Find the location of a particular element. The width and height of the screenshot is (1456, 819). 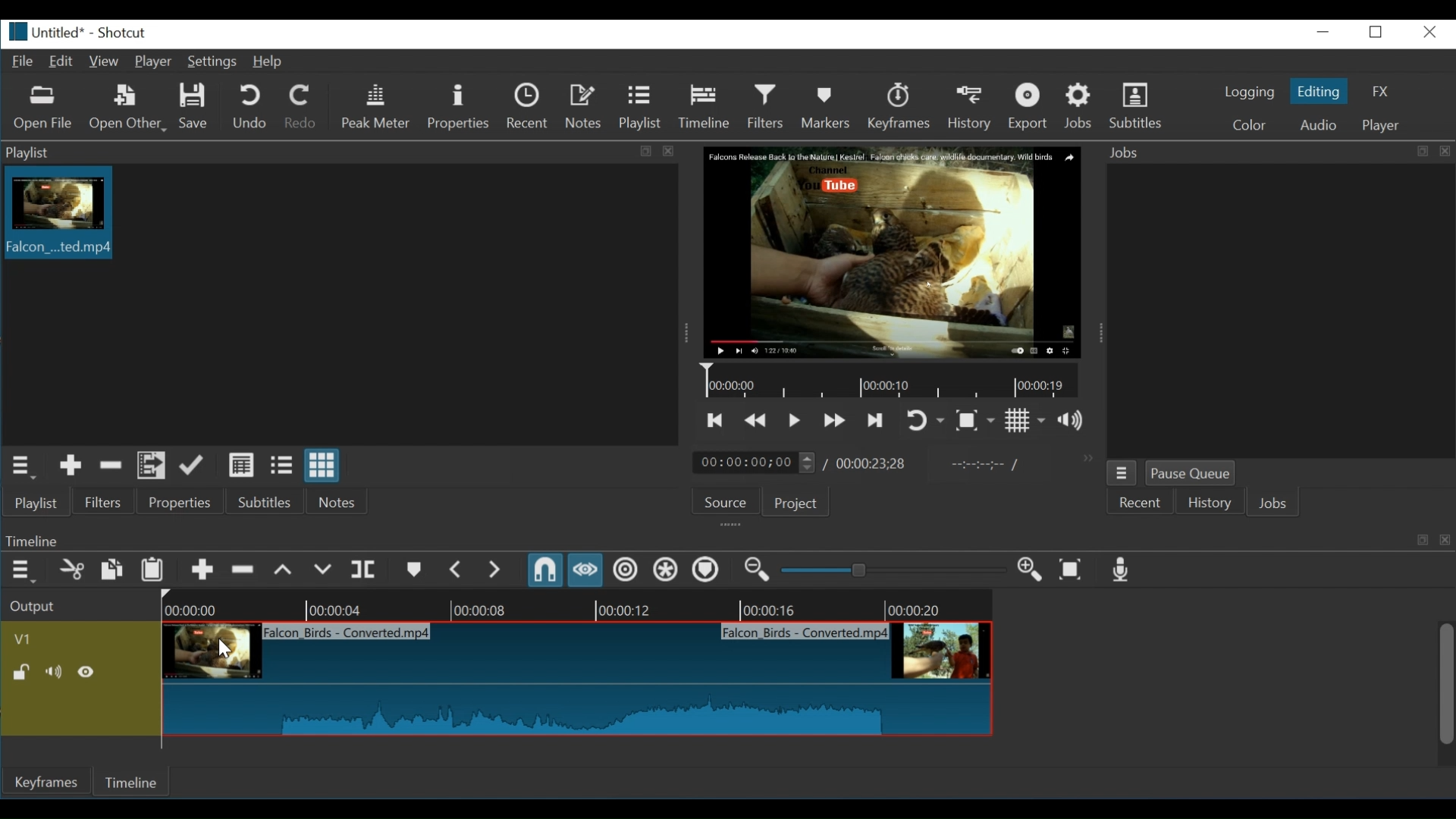

Save is located at coordinates (195, 107).